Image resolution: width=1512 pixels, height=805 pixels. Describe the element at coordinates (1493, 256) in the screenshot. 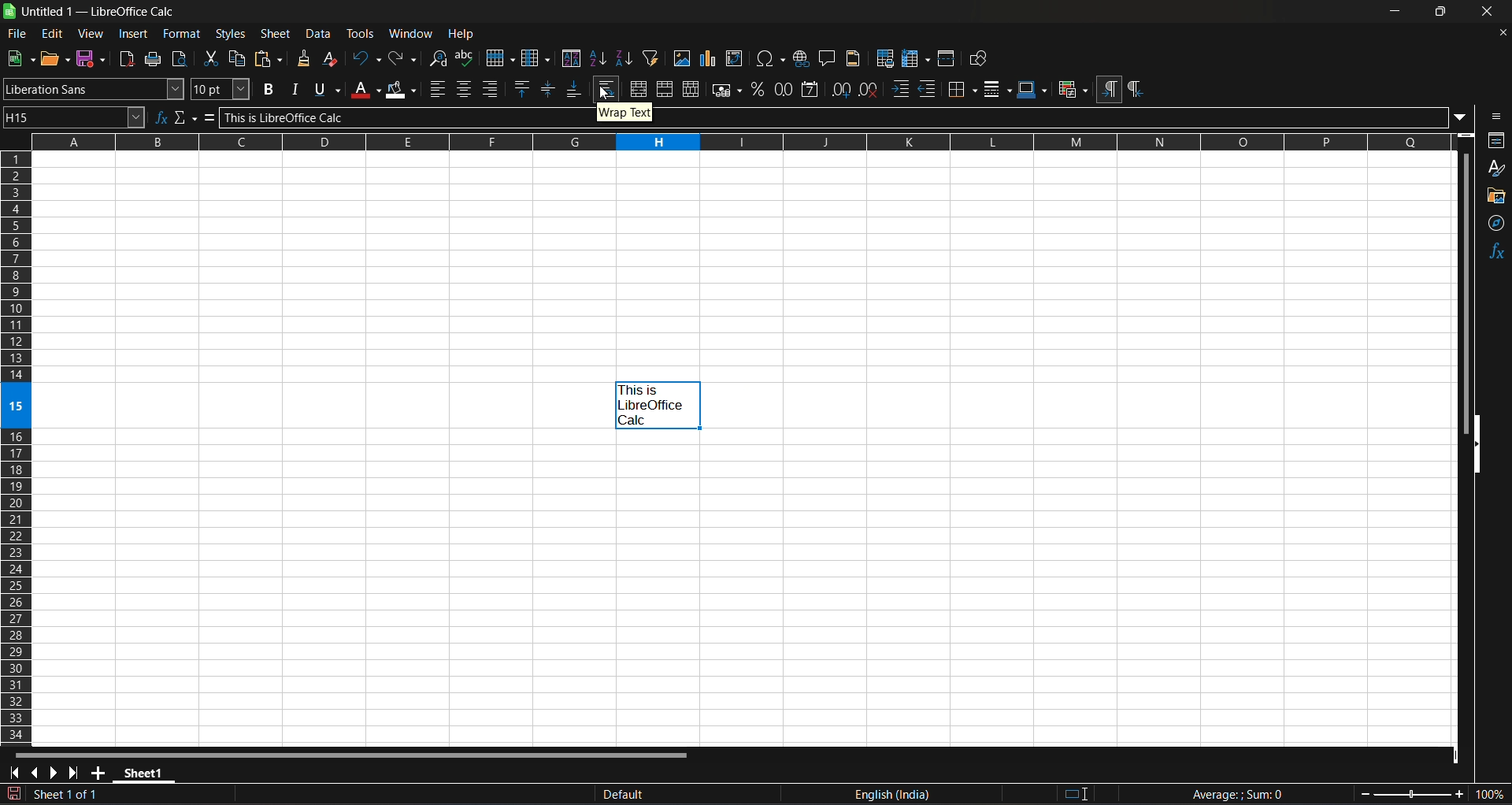

I see `functions` at that location.